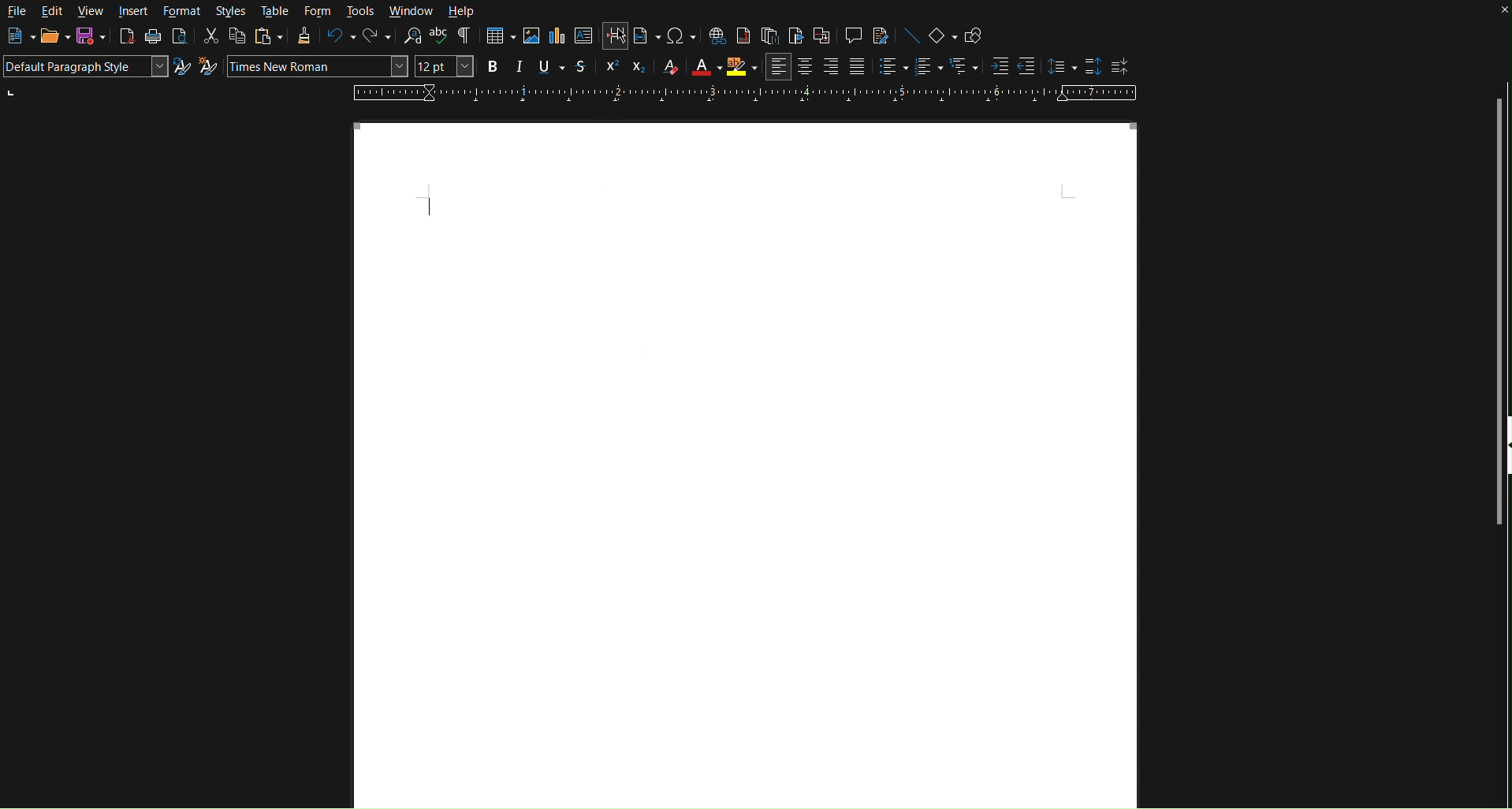 The width and height of the screenshot is (1512, 809). I want to click on Basic Shapes, so click(939, 34).